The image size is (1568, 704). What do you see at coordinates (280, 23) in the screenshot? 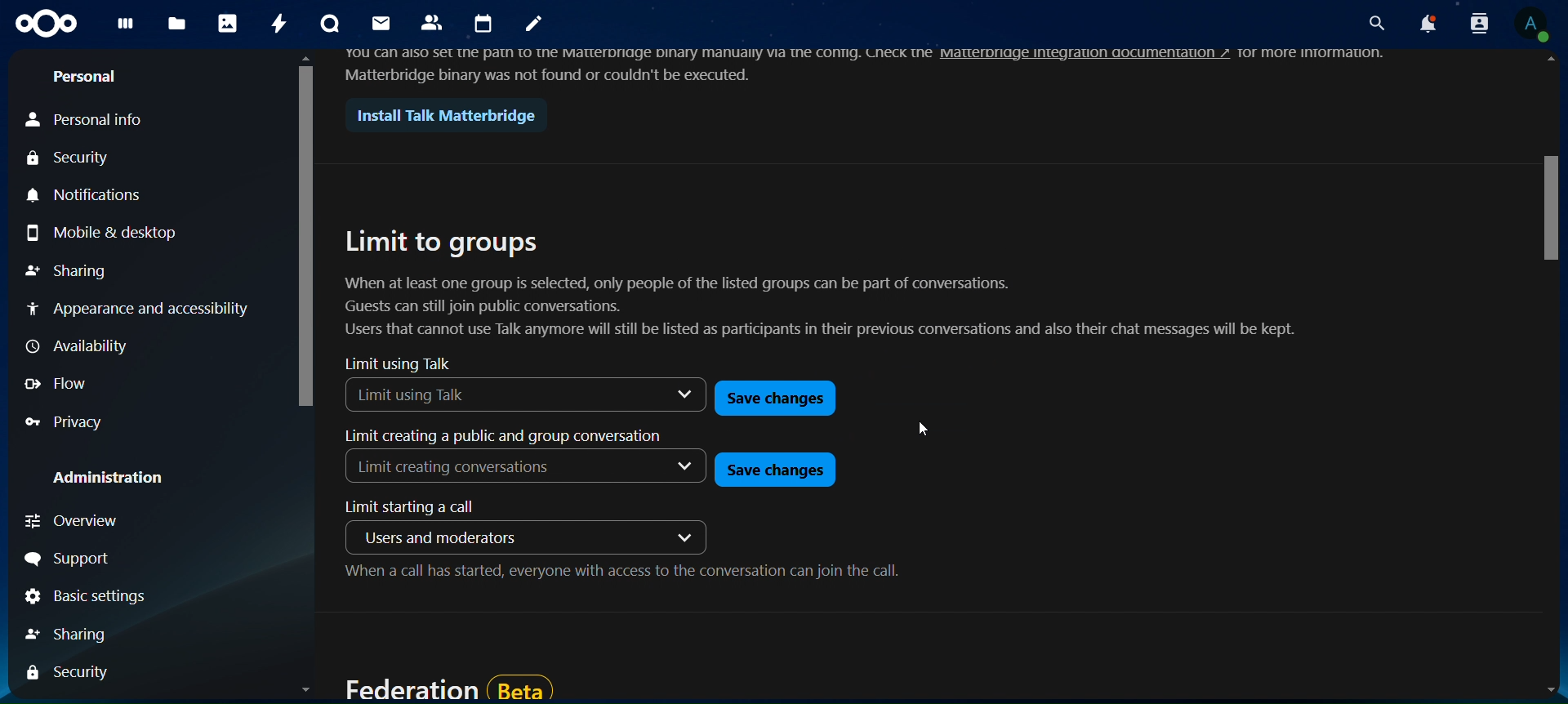
I see `activity` at bounding box center [280, 23].